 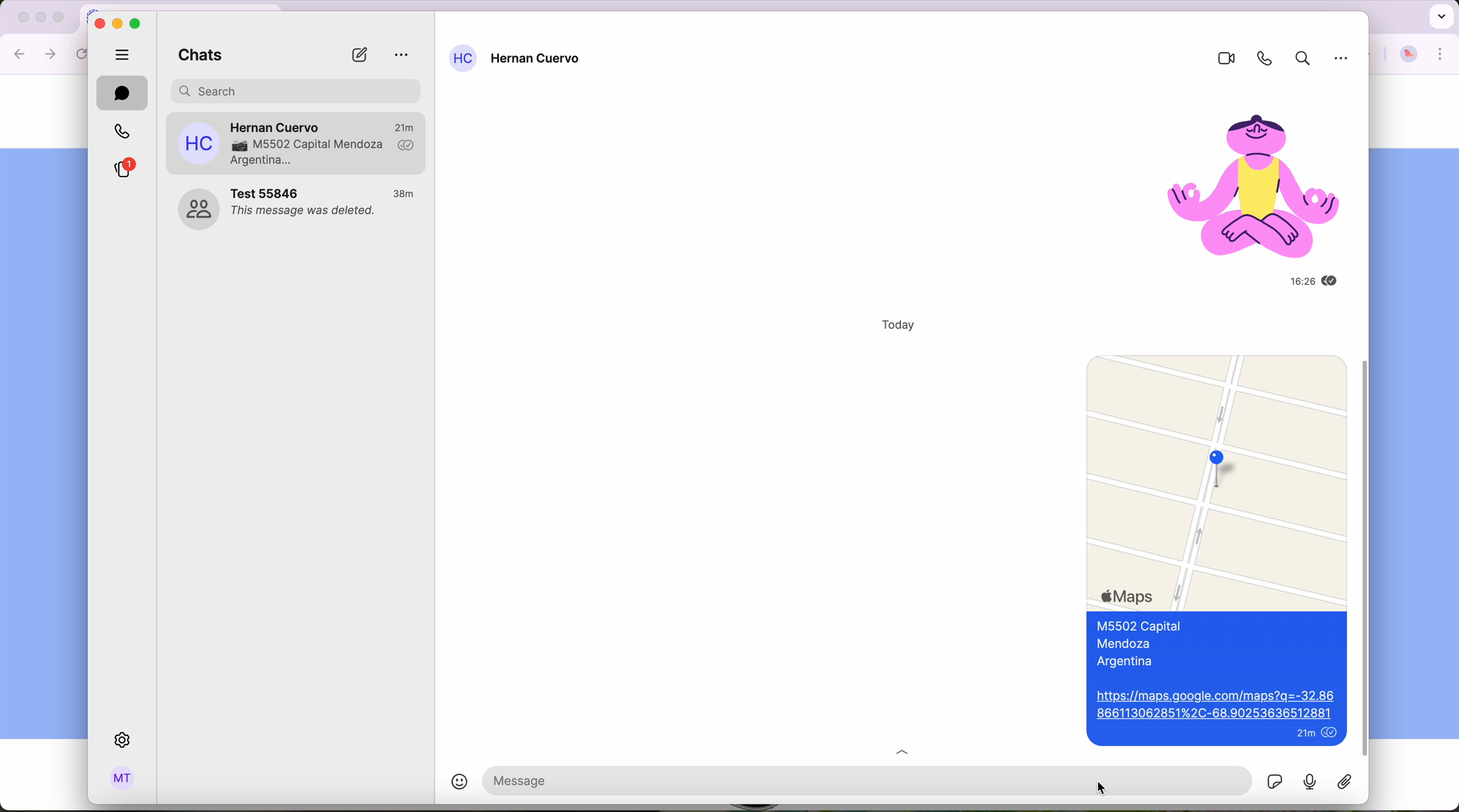 I want to click on search bar, so click(x=297, y=89).